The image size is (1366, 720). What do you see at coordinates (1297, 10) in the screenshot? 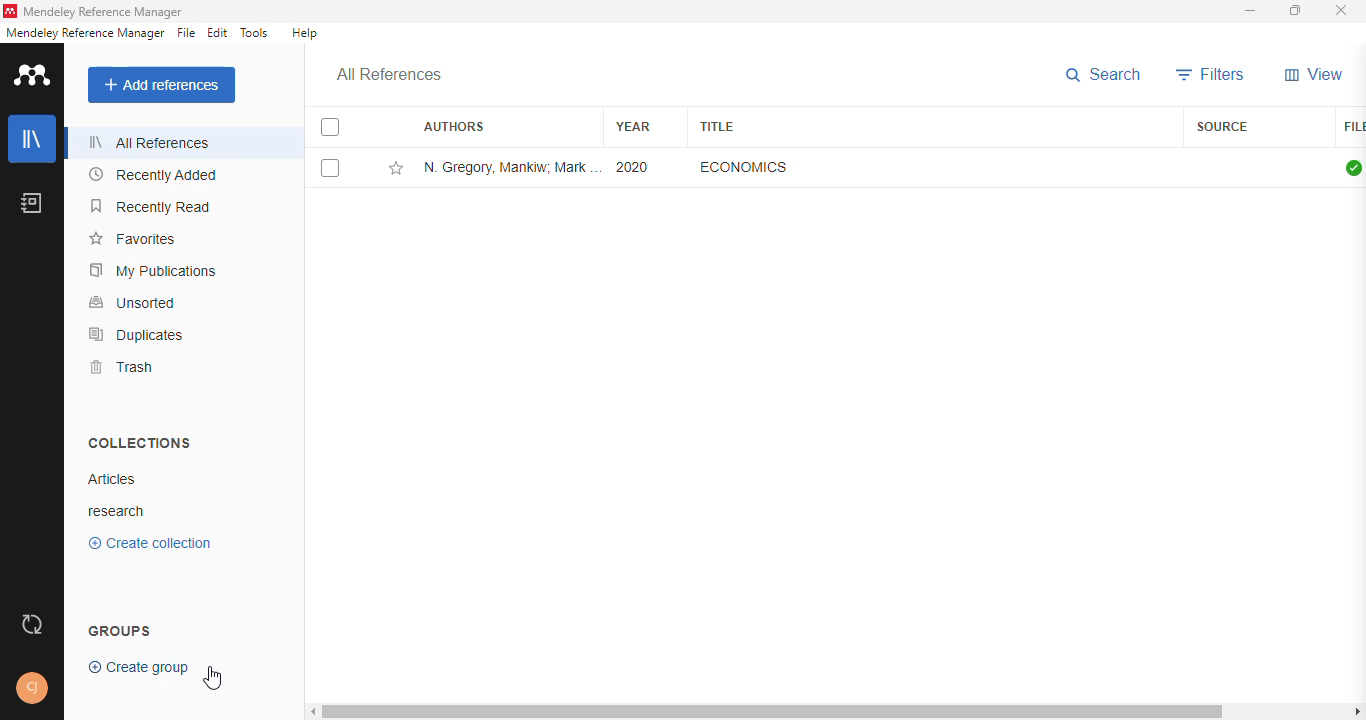
I see `maximize` at bounding box center [1297, 10].